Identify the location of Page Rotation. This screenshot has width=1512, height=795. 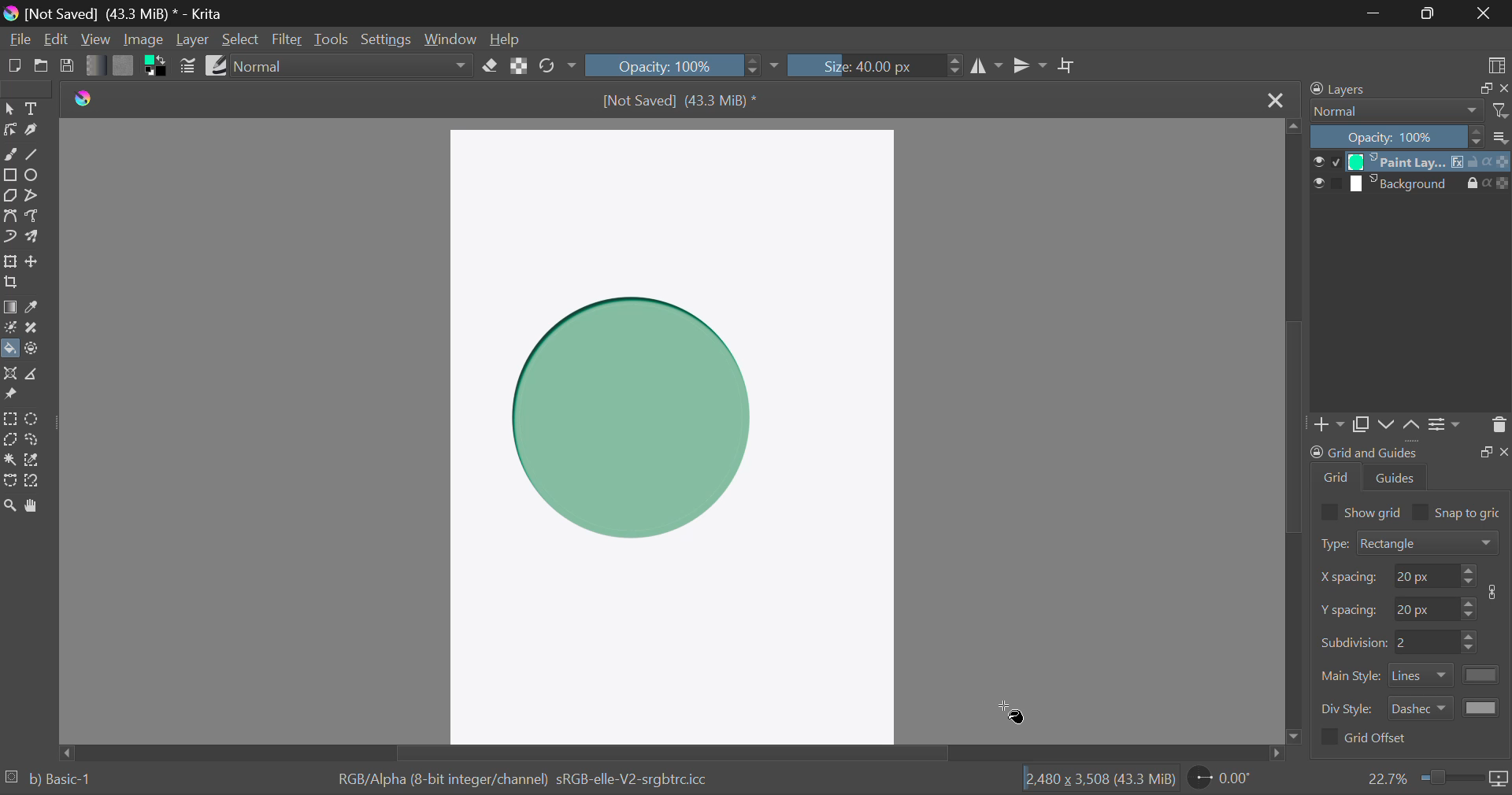
(1224, 780).